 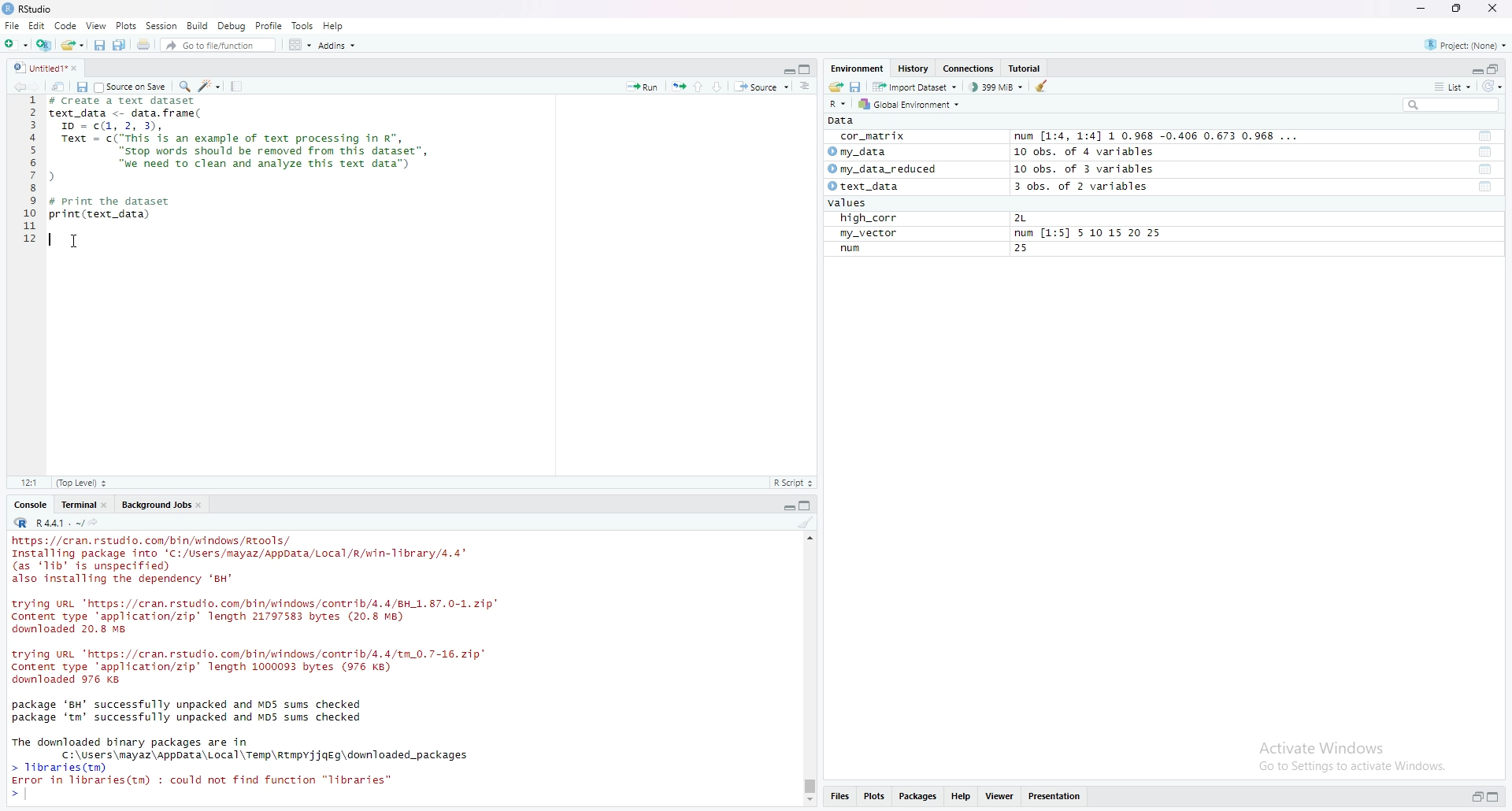 What do you see at coordinates (97, 26) in the screenshot?
I see `view` at bounding box center [97, 26].